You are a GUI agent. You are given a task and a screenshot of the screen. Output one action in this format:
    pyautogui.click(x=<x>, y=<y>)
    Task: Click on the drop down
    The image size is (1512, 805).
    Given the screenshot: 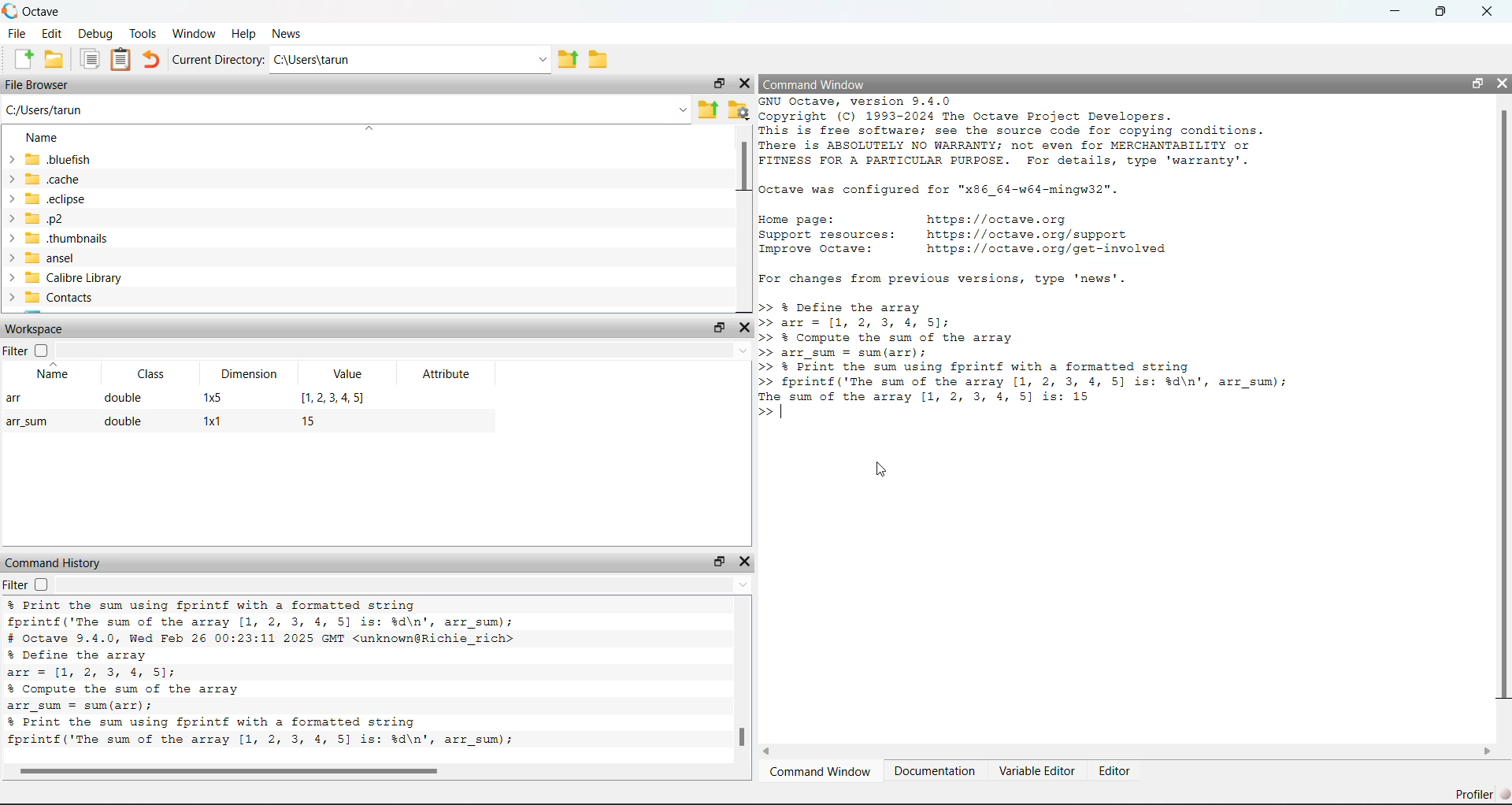 What is the action you would take?
    pyautogui.click(x=406, y=348)
    